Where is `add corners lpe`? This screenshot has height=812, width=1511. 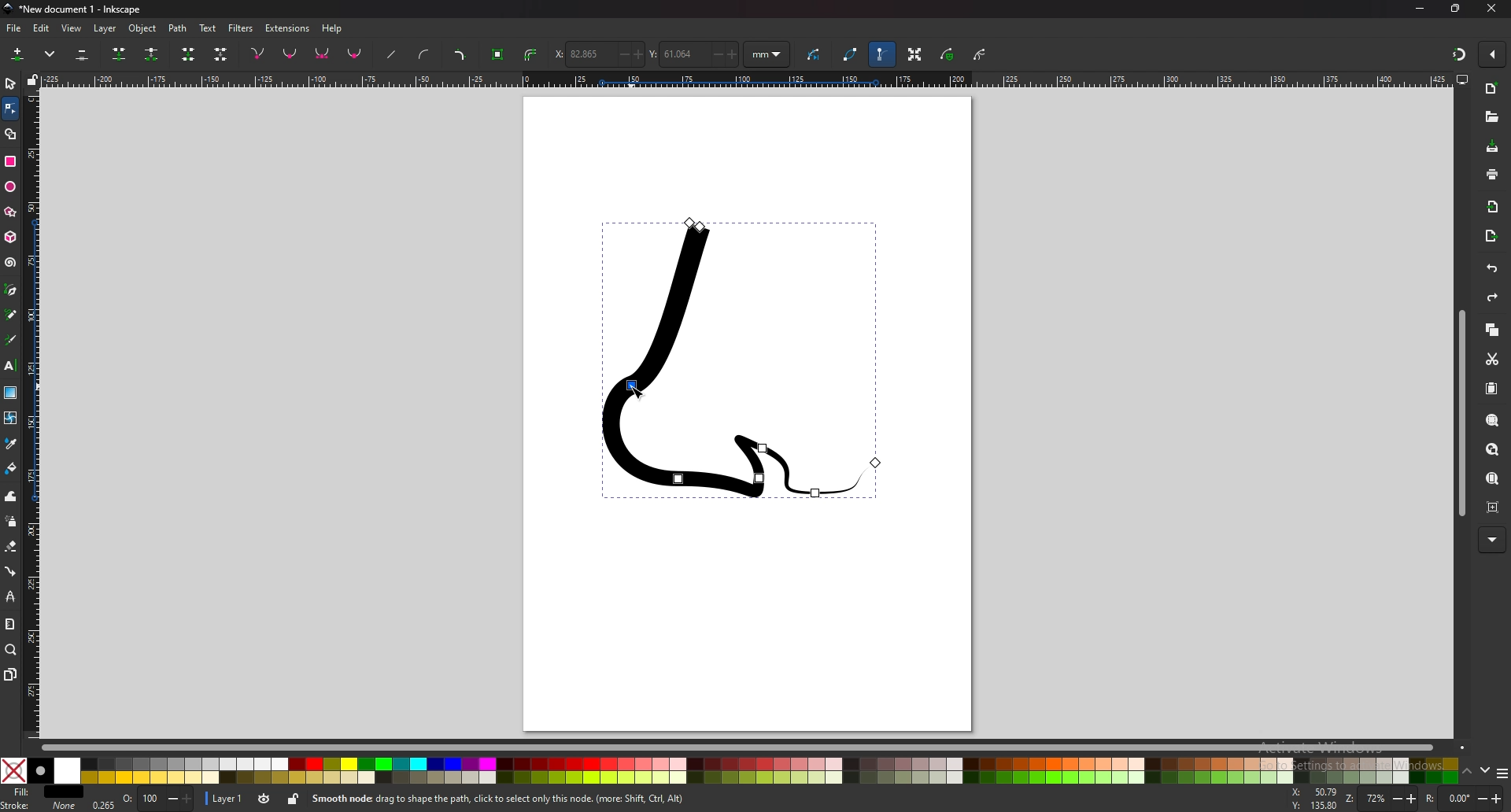
add corners lpe is located at coordinates (460, 56).